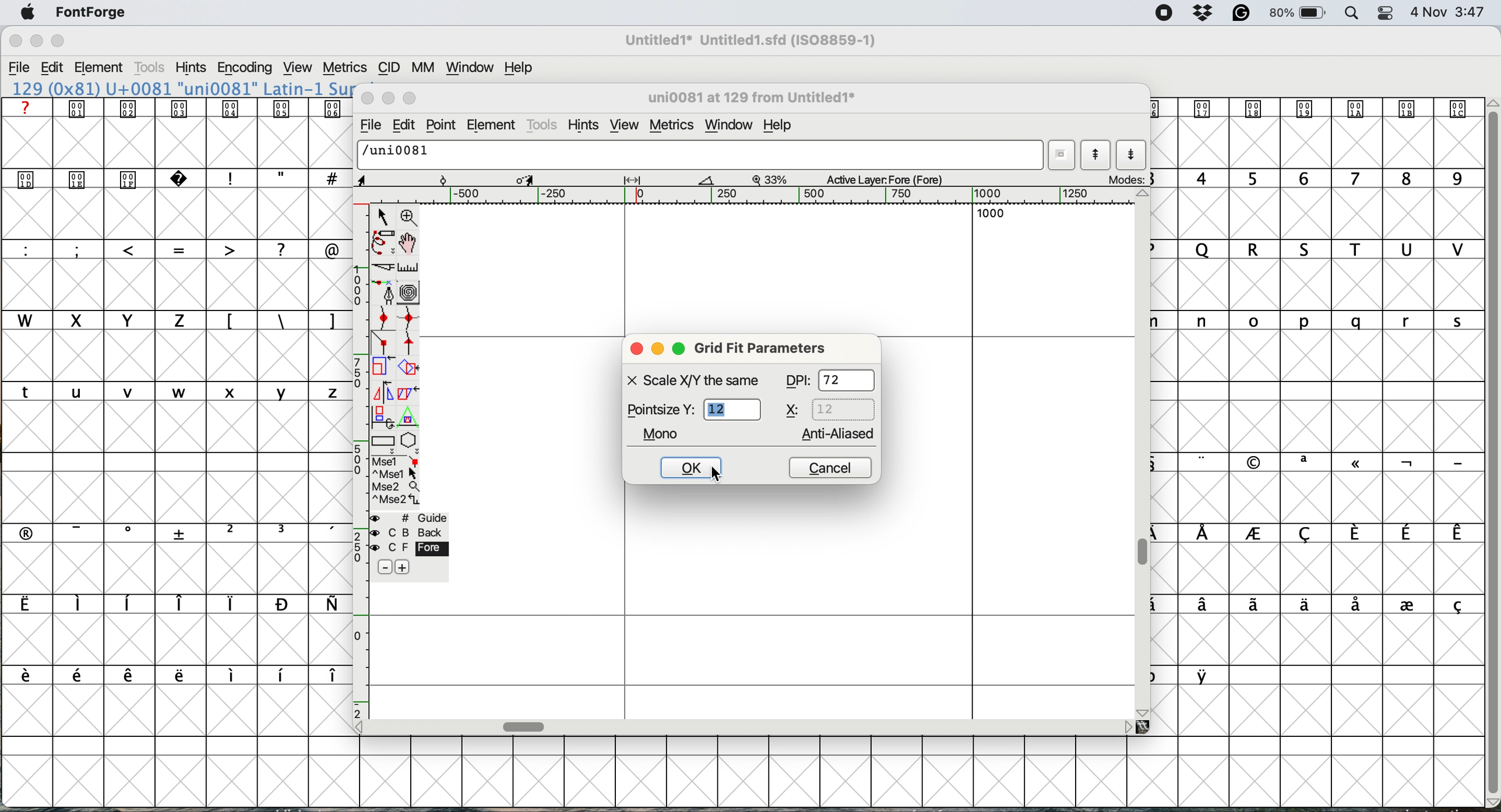 The height and width of the screenshot is (812, 1501). What do you see at coordinates (747, 98) in the screenshot?
I see `glyph name` at bounding box center [747, 98].